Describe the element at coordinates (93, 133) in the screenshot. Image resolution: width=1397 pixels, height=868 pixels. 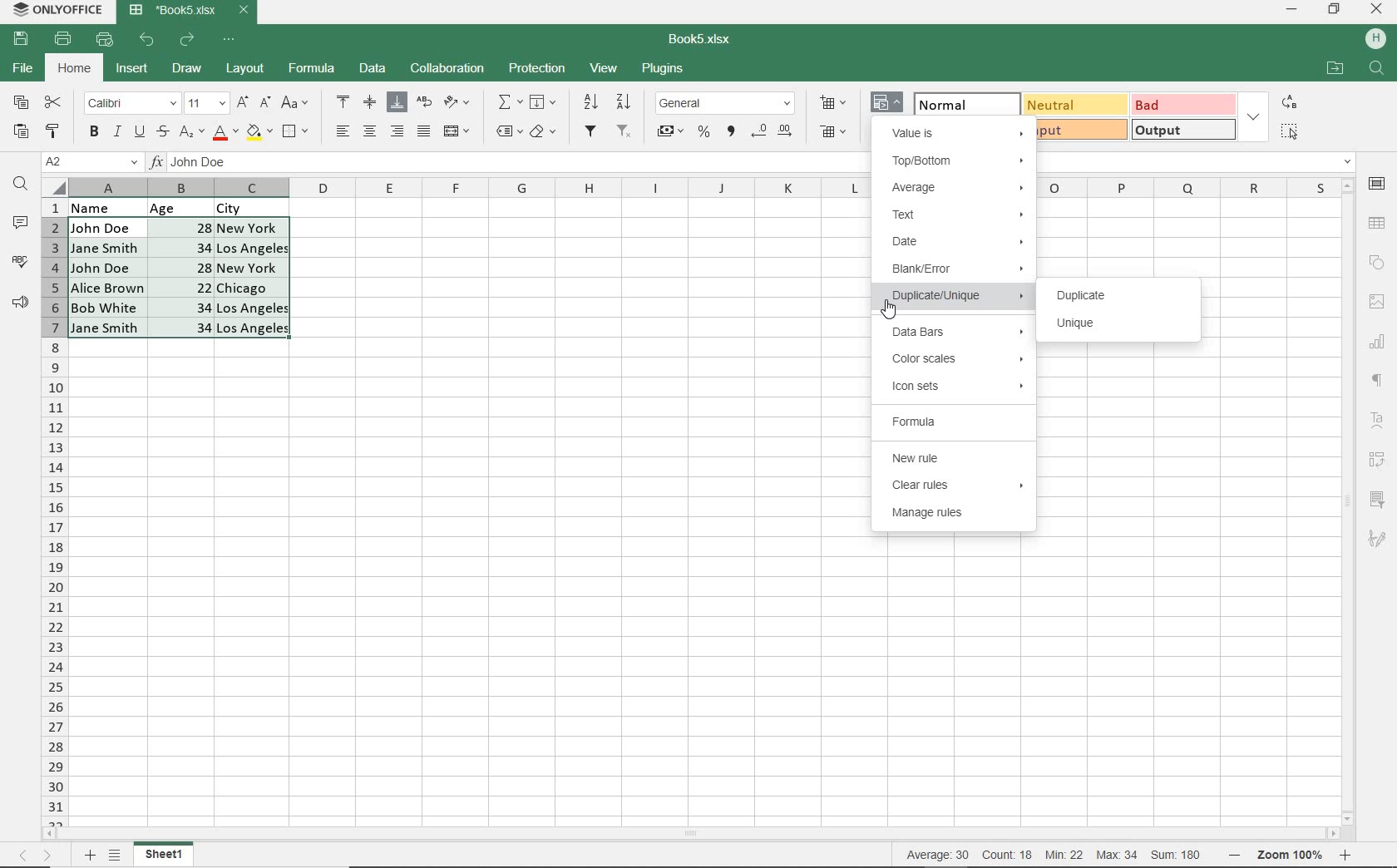
I see `BOLD` at that location.